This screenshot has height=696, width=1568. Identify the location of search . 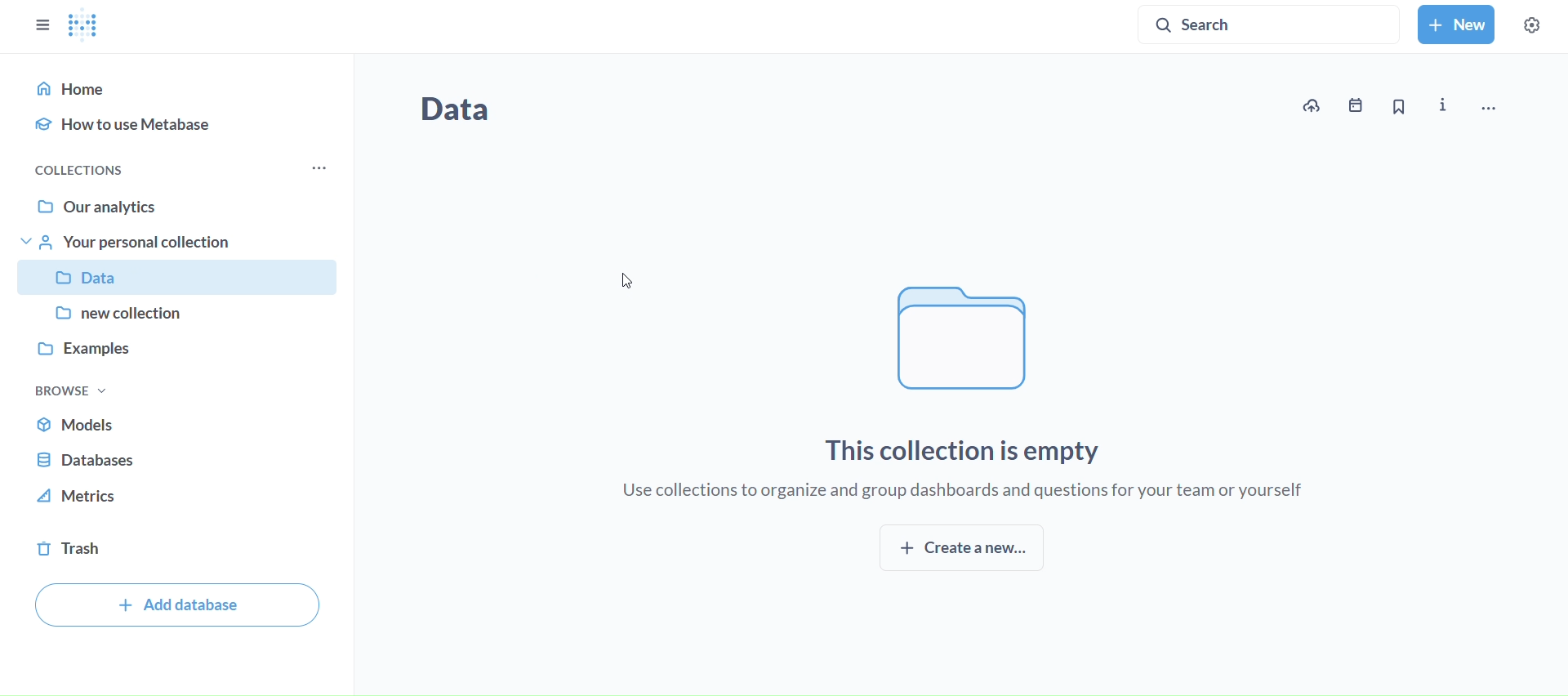
(1270, 27).